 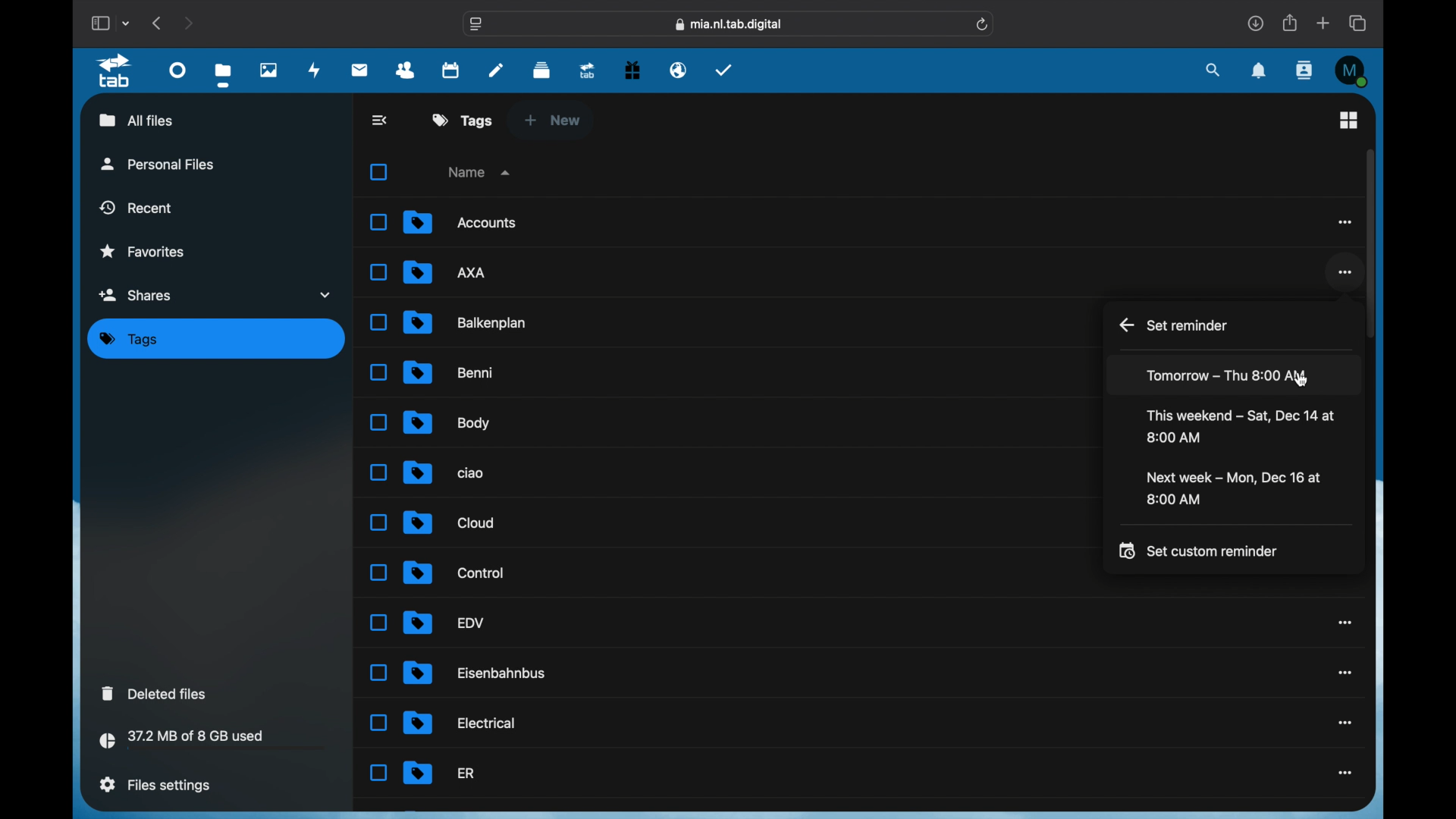 I want to click on website settings, so click(x=476, y=25).